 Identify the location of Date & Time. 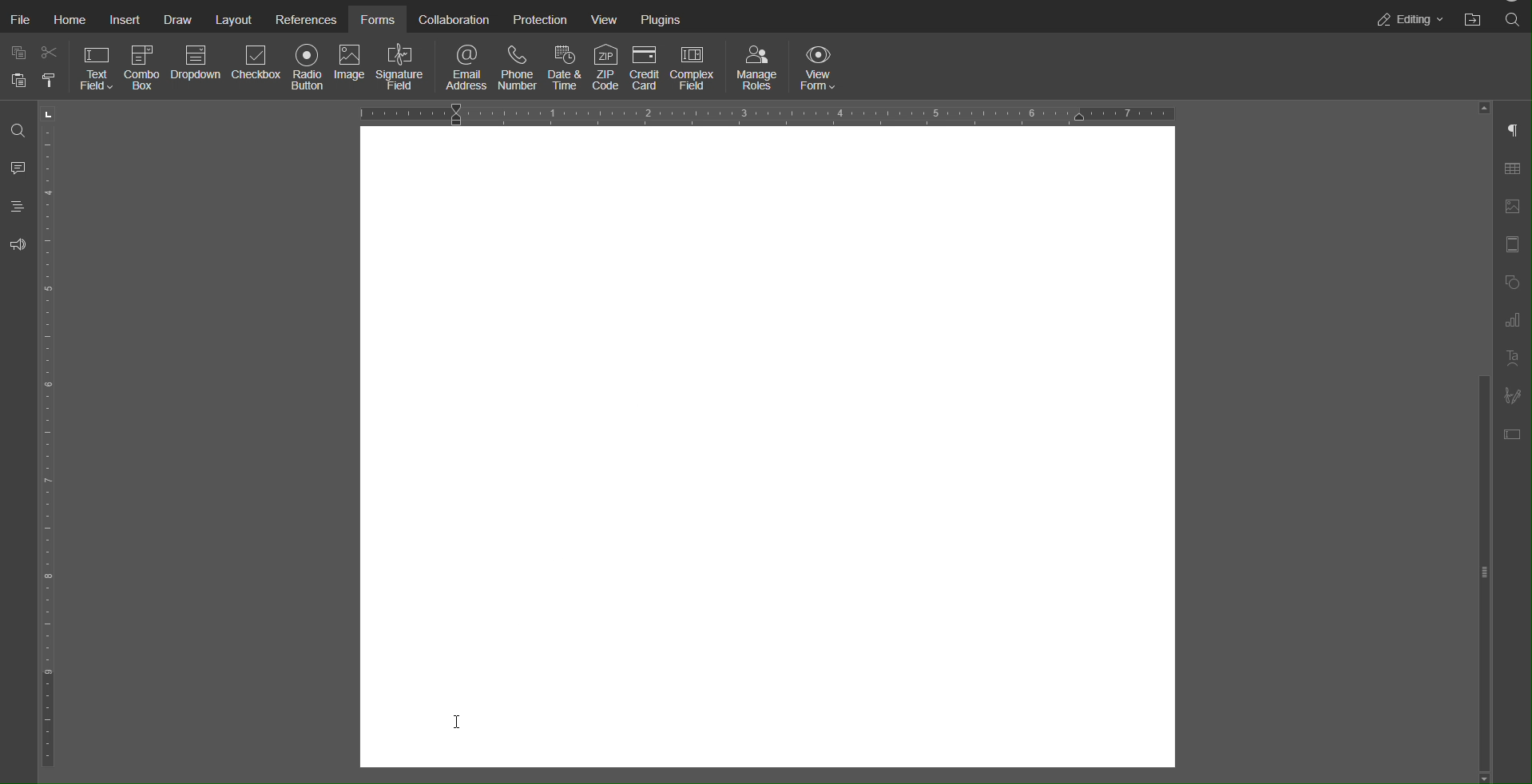
(561, 66).